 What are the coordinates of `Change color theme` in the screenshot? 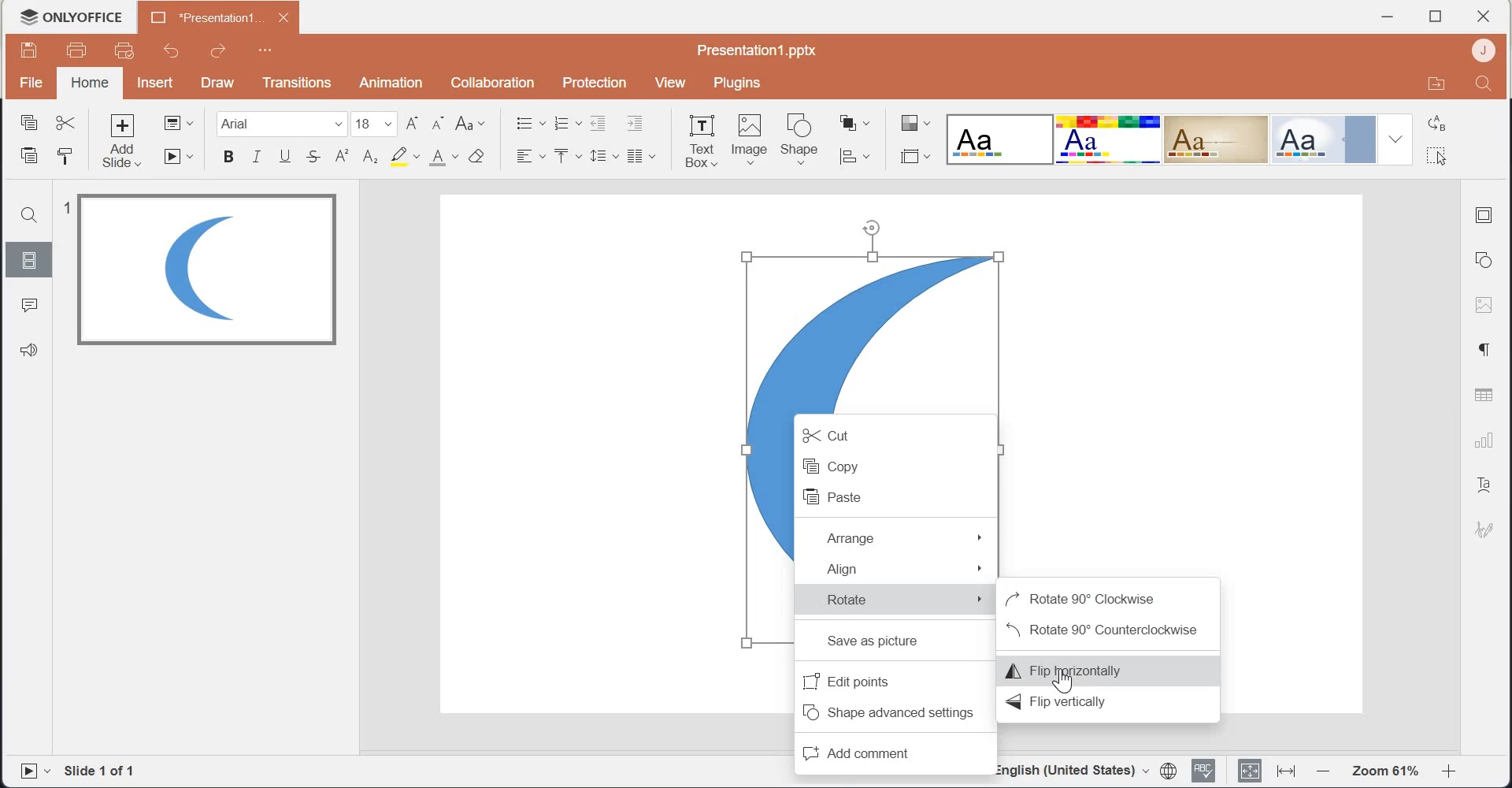 It's located at (913, 123).